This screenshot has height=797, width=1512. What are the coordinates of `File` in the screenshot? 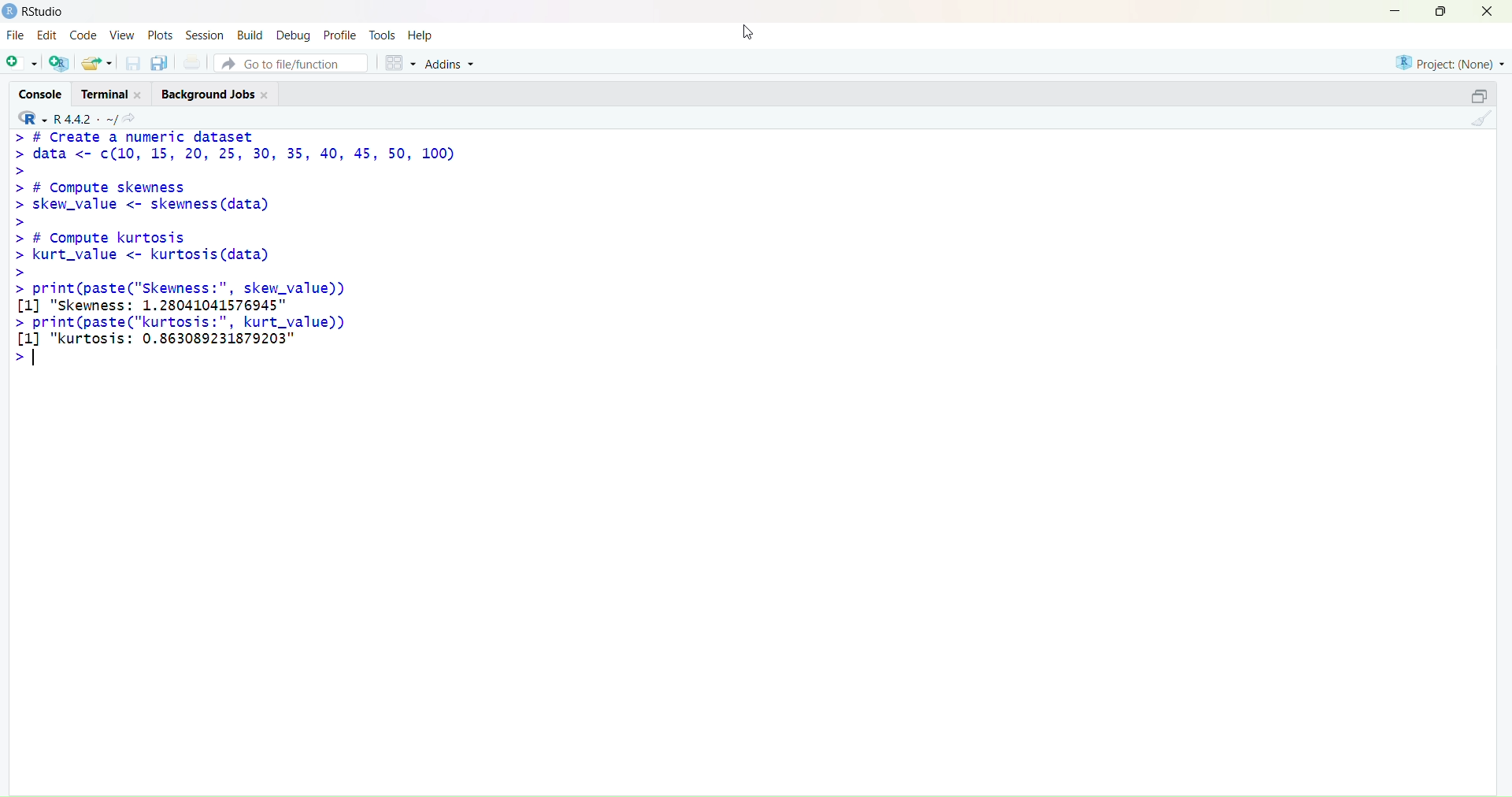 It's located at (17, 36).